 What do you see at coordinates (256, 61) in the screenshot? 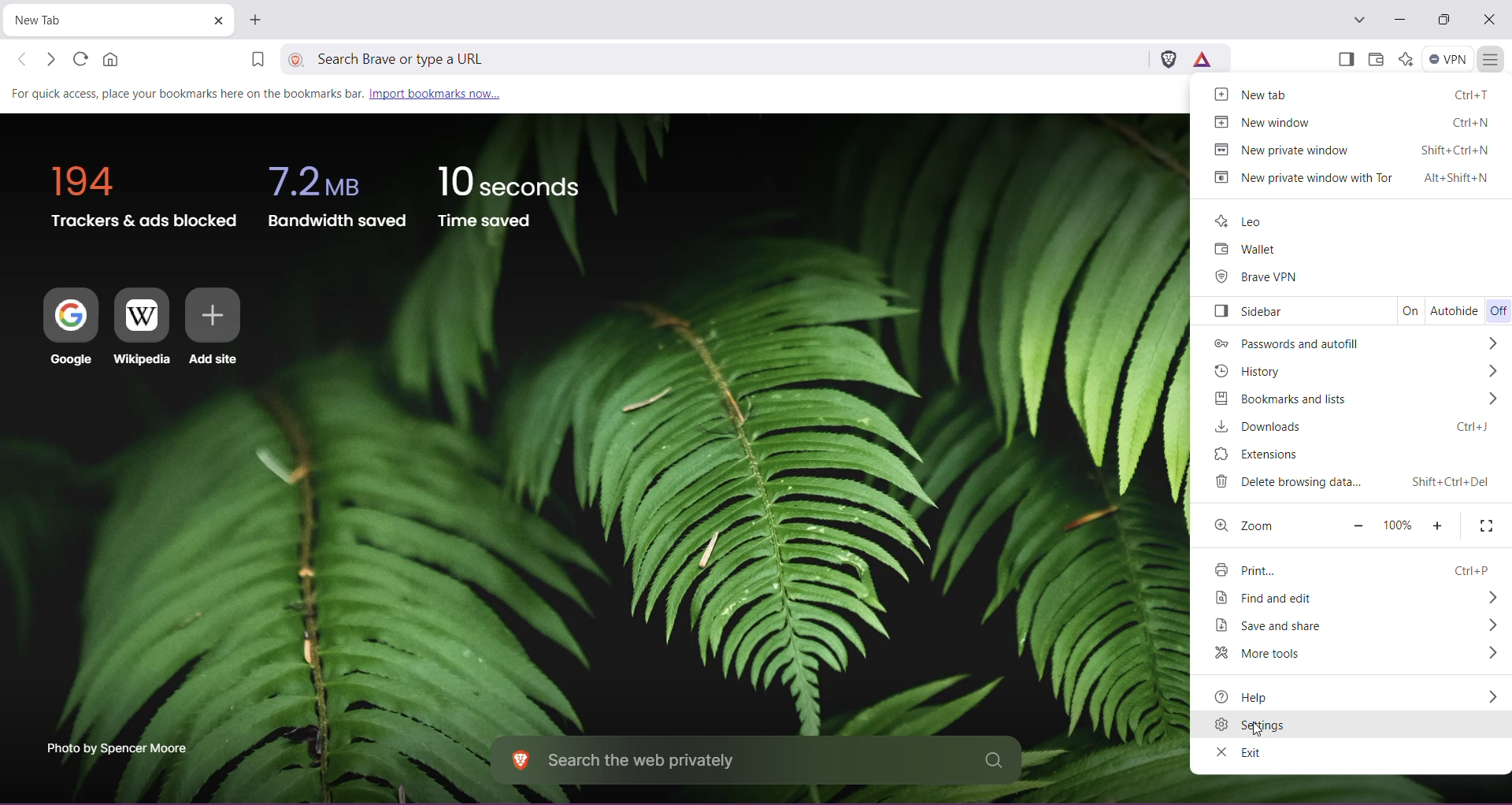
I see `Bookmark this Page` at bounding box center [256, 61].